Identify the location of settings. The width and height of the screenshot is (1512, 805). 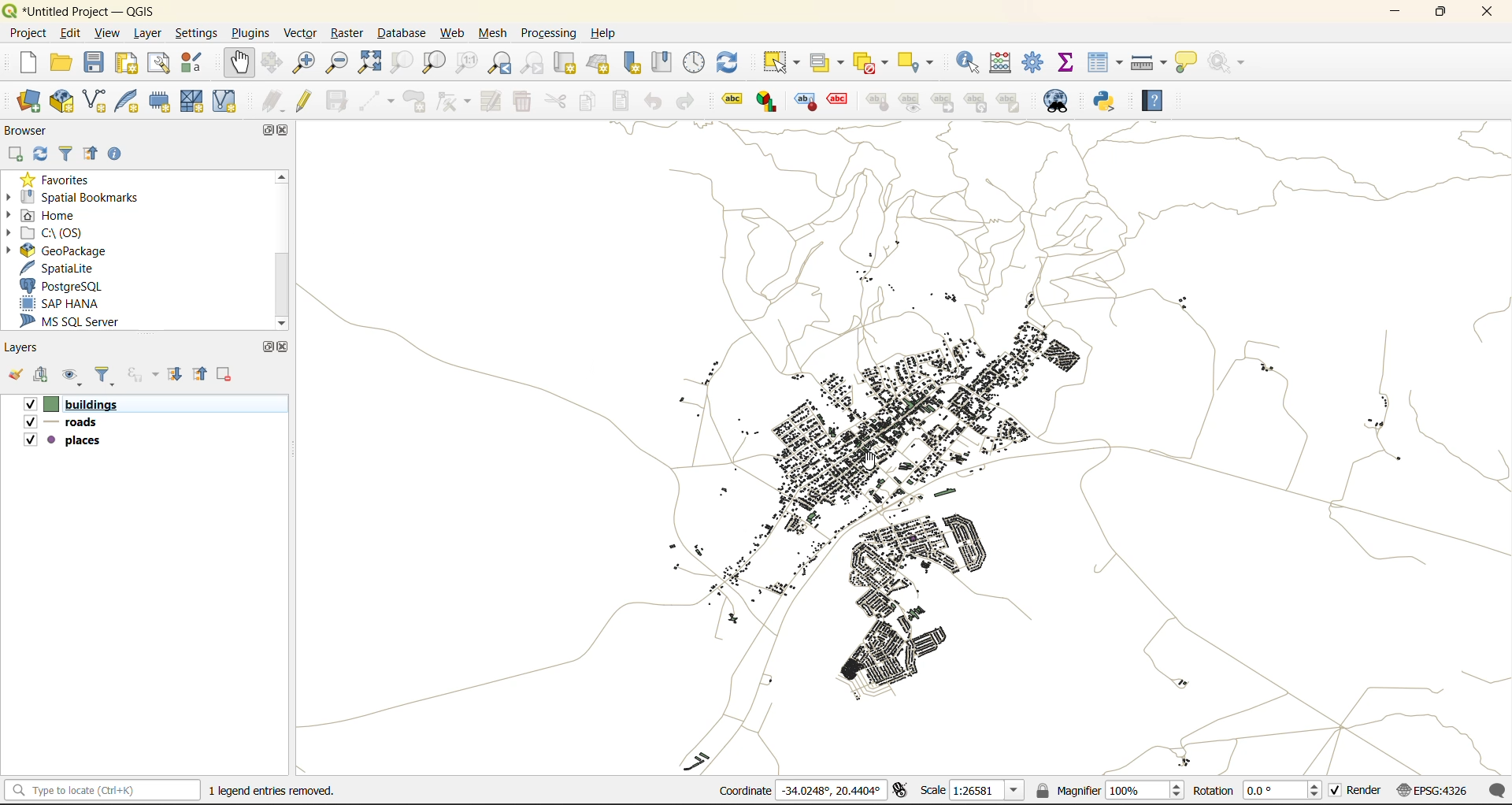
(196, 31).